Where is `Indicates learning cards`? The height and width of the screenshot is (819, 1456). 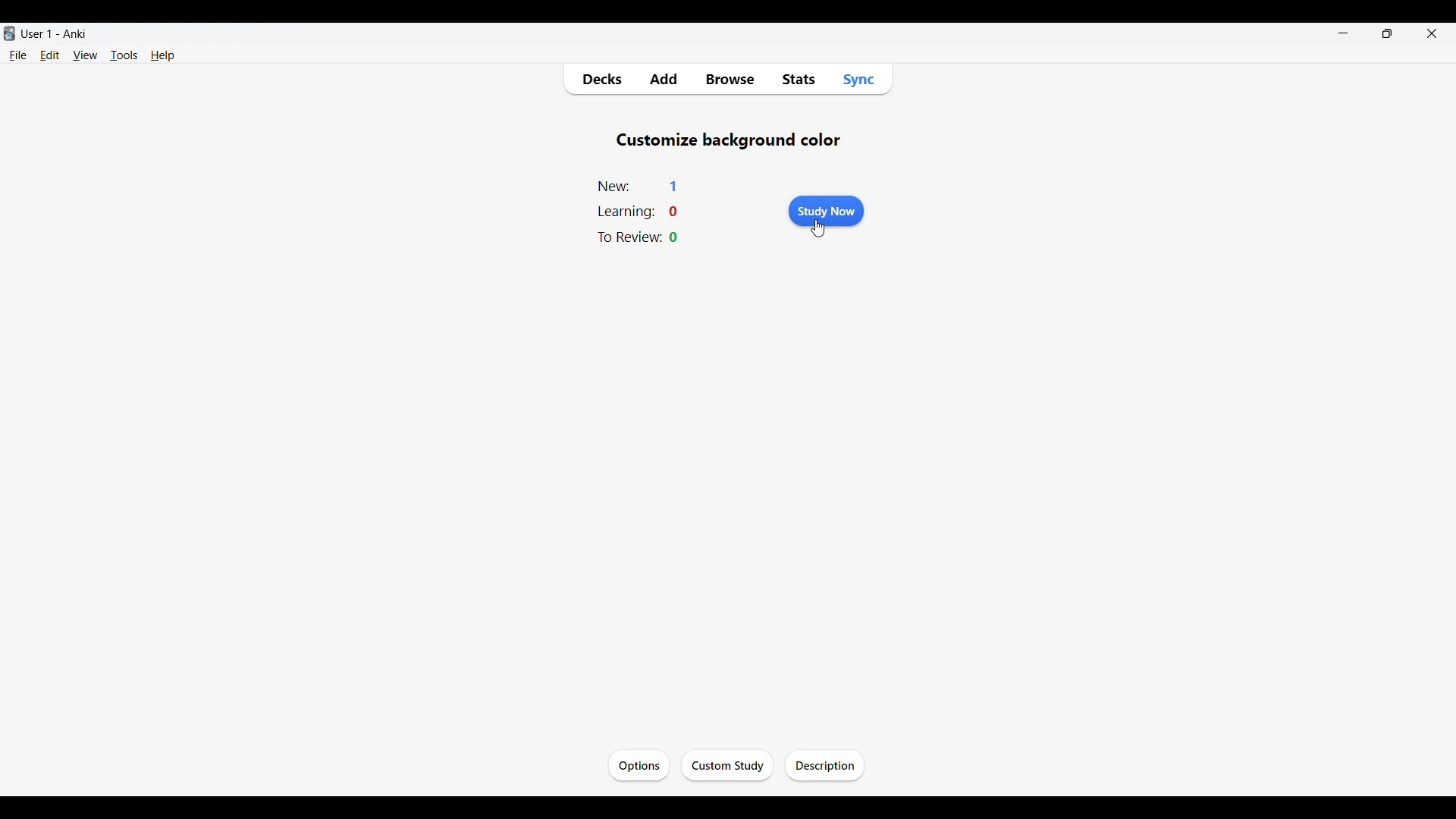 Indicates learning cards is located at coordinates (626, 212).